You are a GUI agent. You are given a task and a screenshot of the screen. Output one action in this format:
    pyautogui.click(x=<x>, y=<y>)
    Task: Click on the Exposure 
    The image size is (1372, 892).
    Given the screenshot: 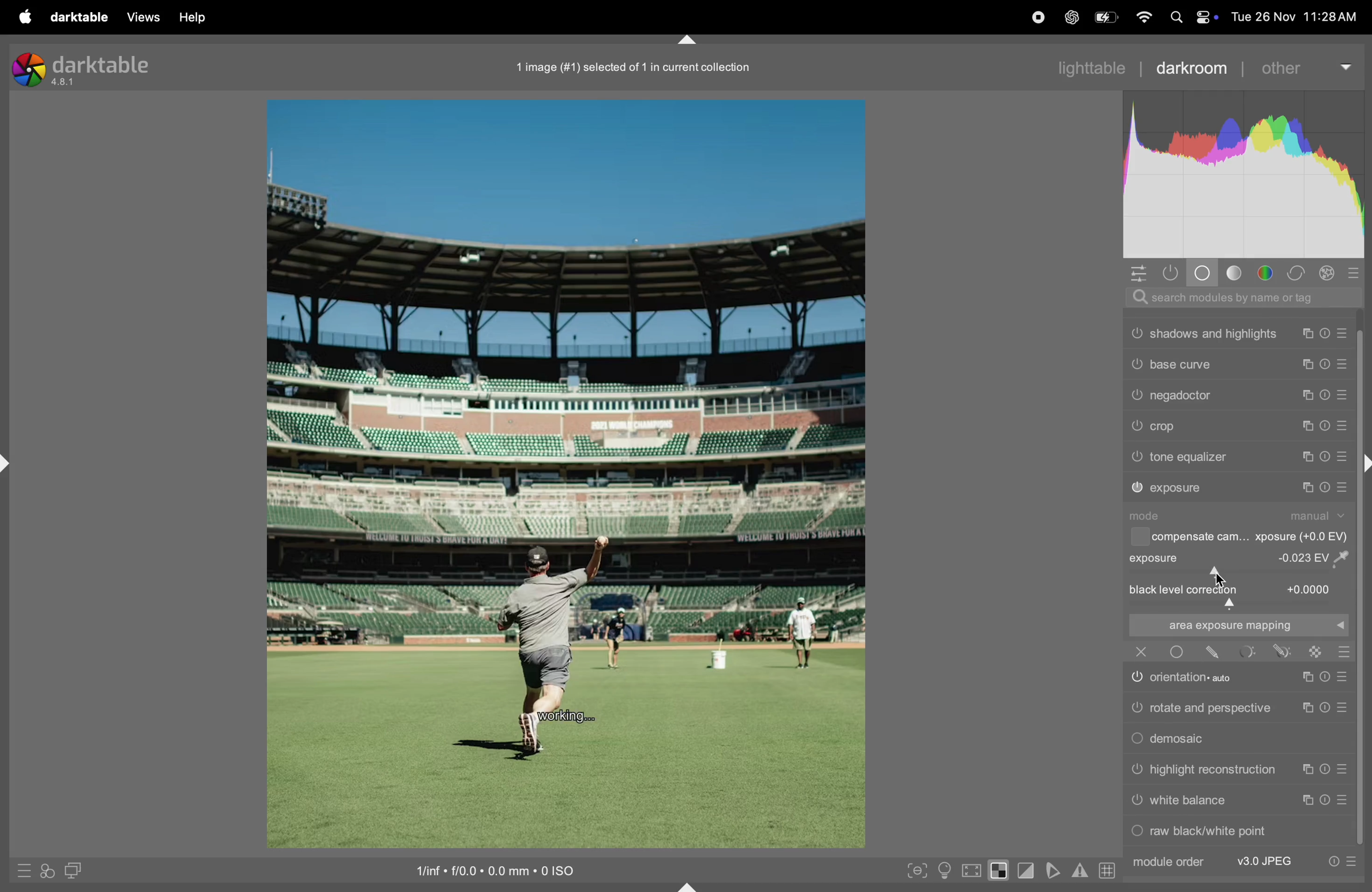 What is the action you would take?
    pyautogui.click(x=1155, y=558)
    